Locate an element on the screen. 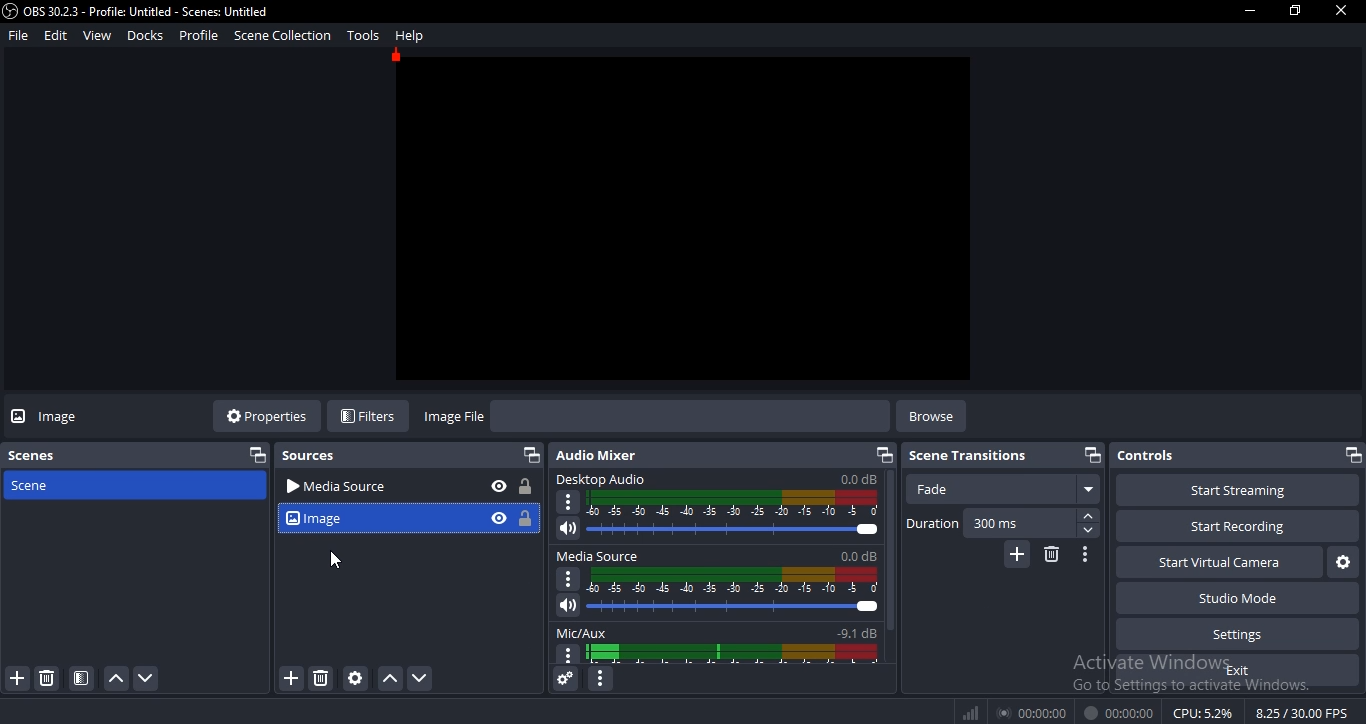  move up is located at coordinates (112, 680).